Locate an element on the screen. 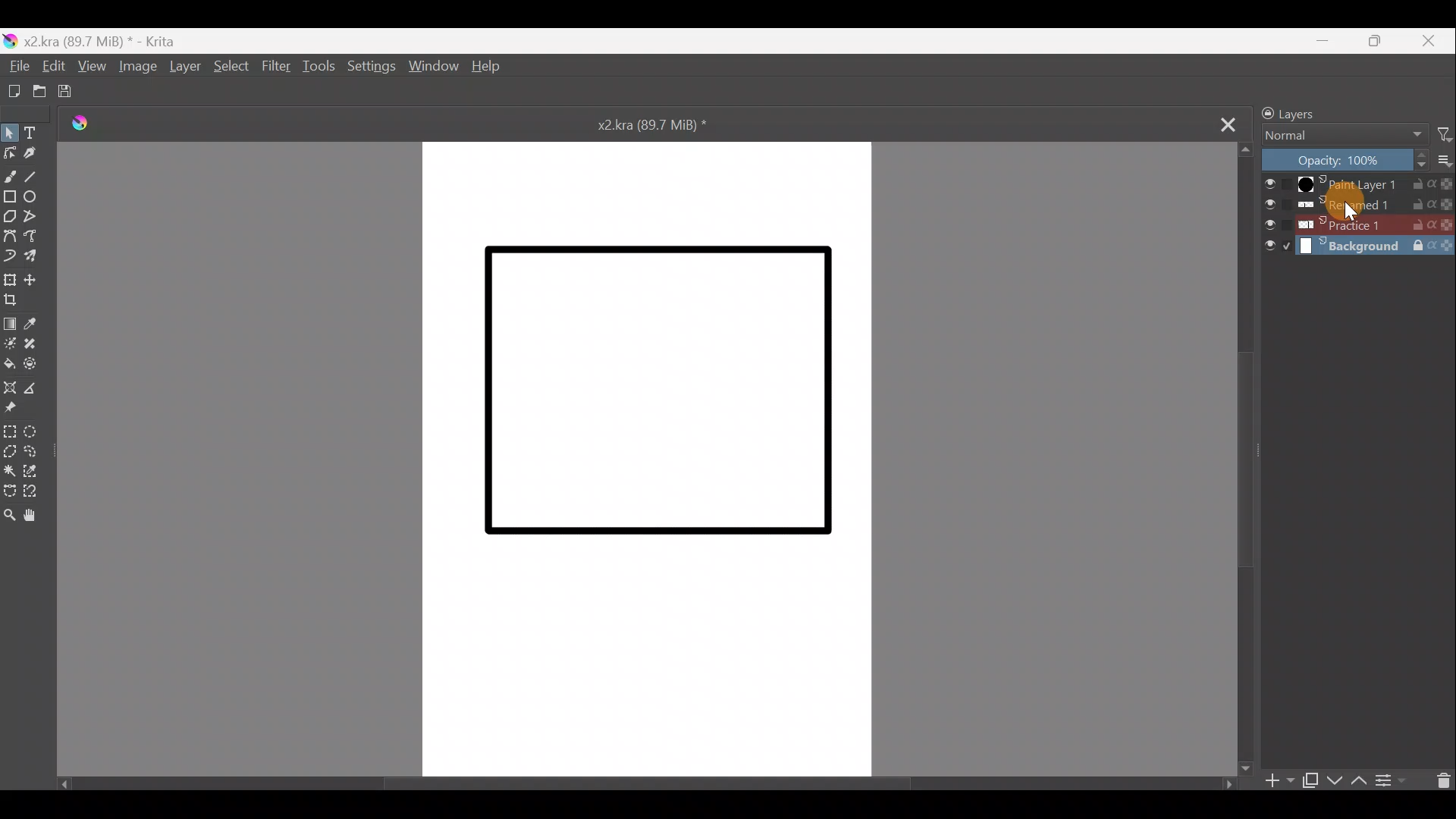  Polygon tool is located at coordinates (9, 218).